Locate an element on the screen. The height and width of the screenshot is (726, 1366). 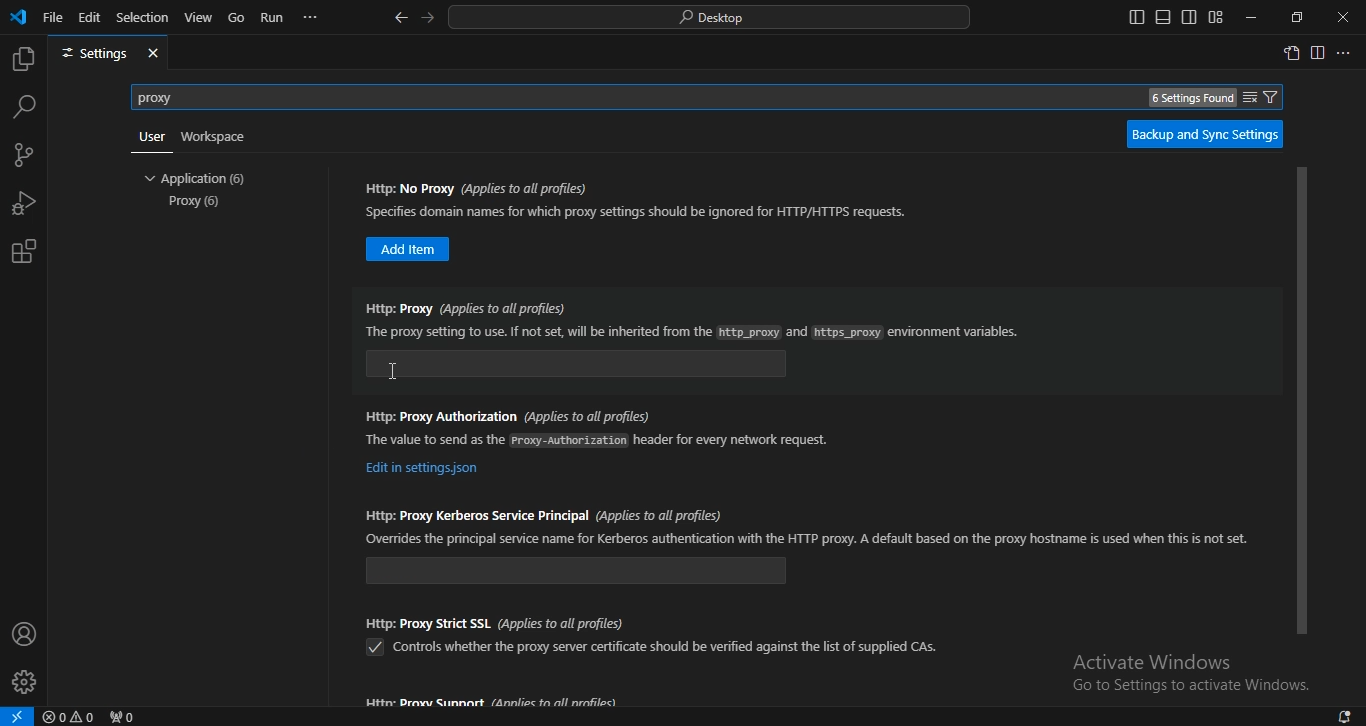
close is located at coordinates (1342, 17).